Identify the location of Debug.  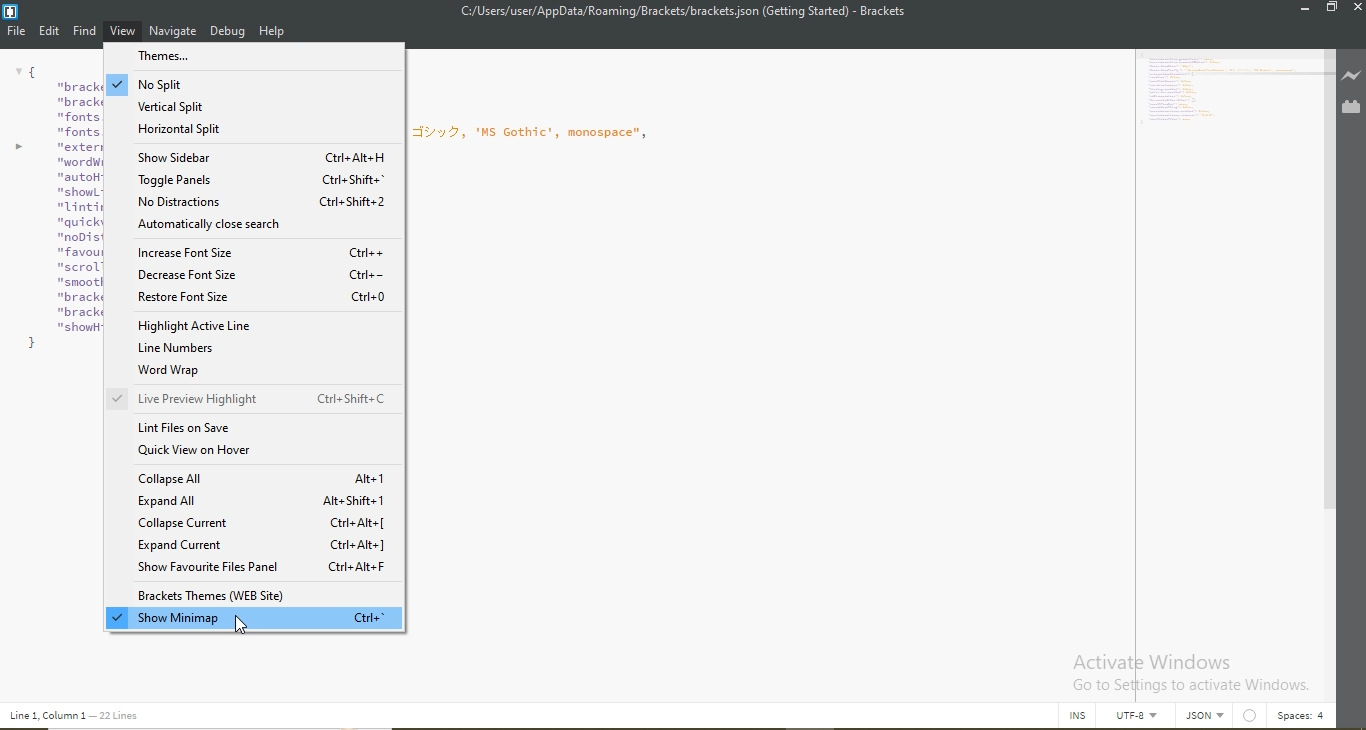
(229, 33).